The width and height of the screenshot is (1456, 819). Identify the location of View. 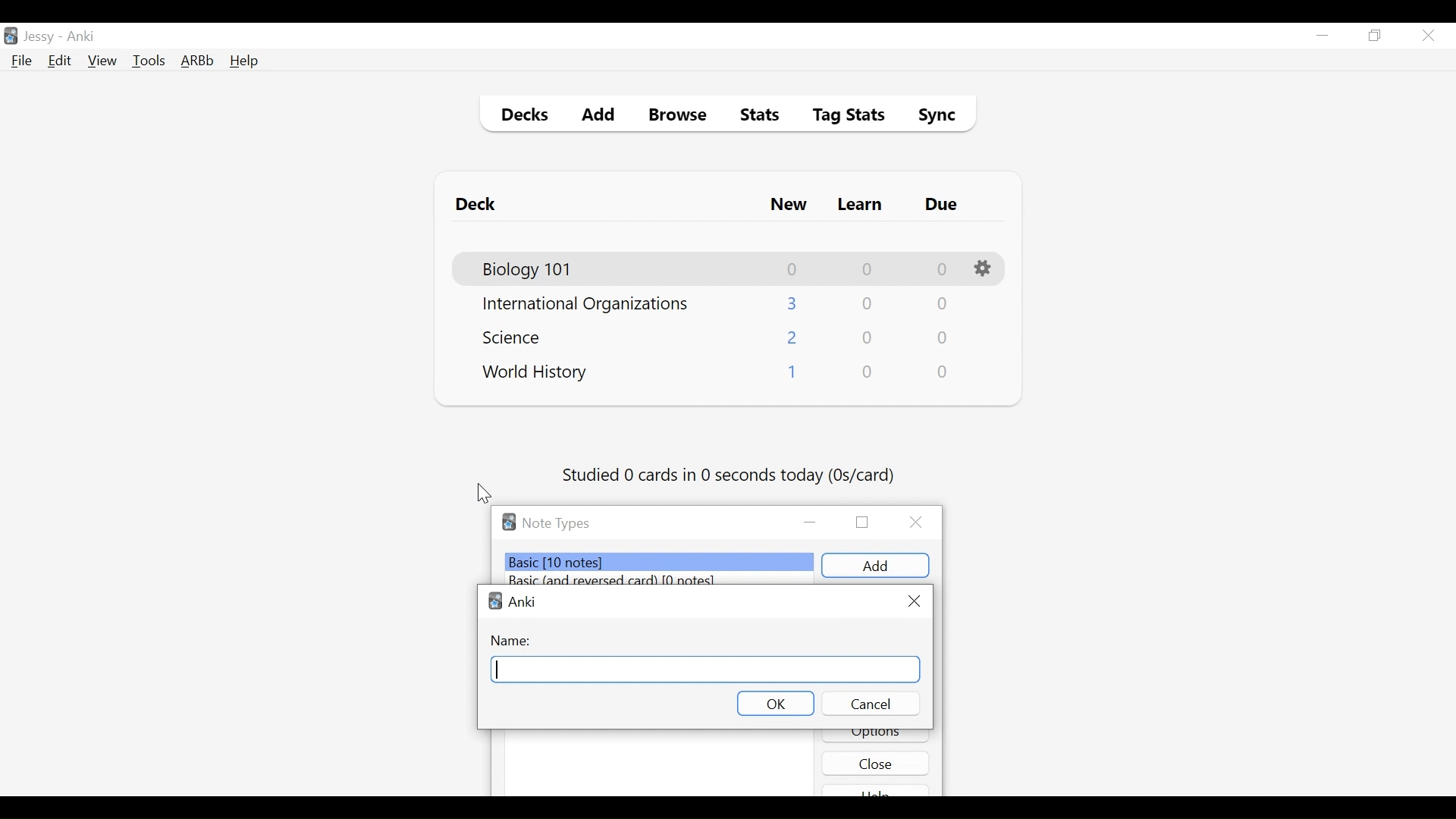
(103, 61).